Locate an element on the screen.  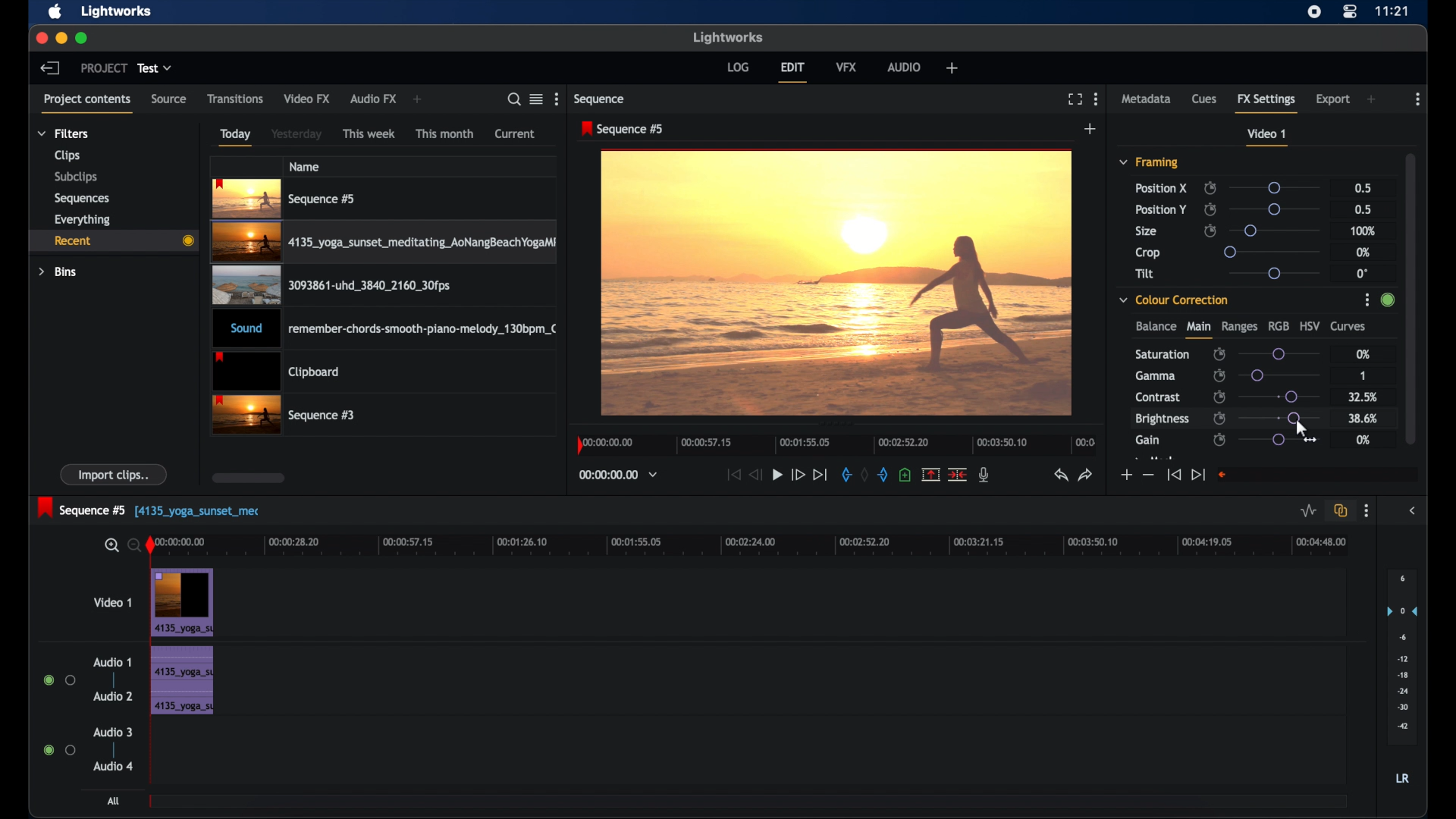
sidebar is located at coordinates (1415, 511).